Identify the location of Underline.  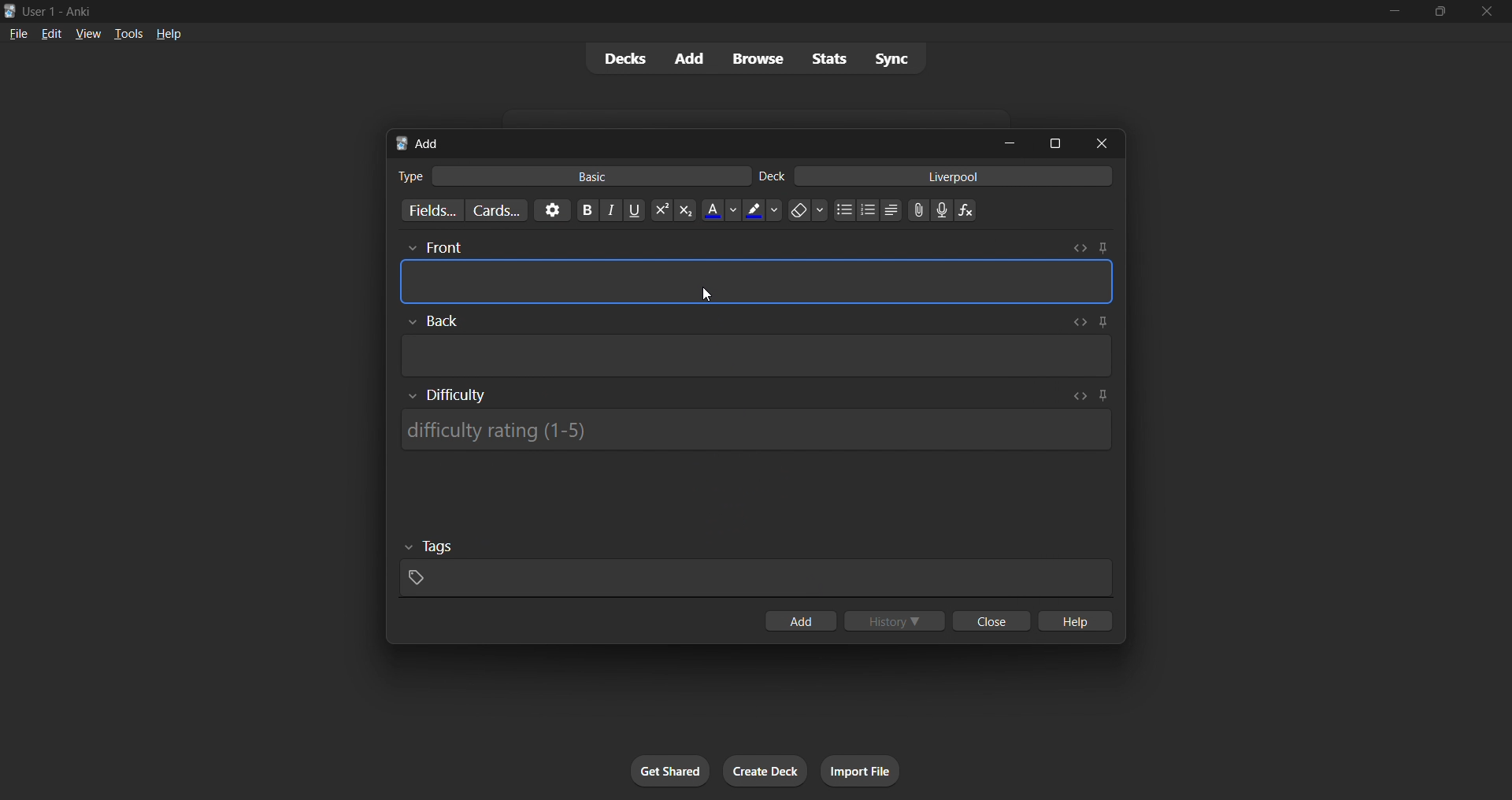
(634, 210).